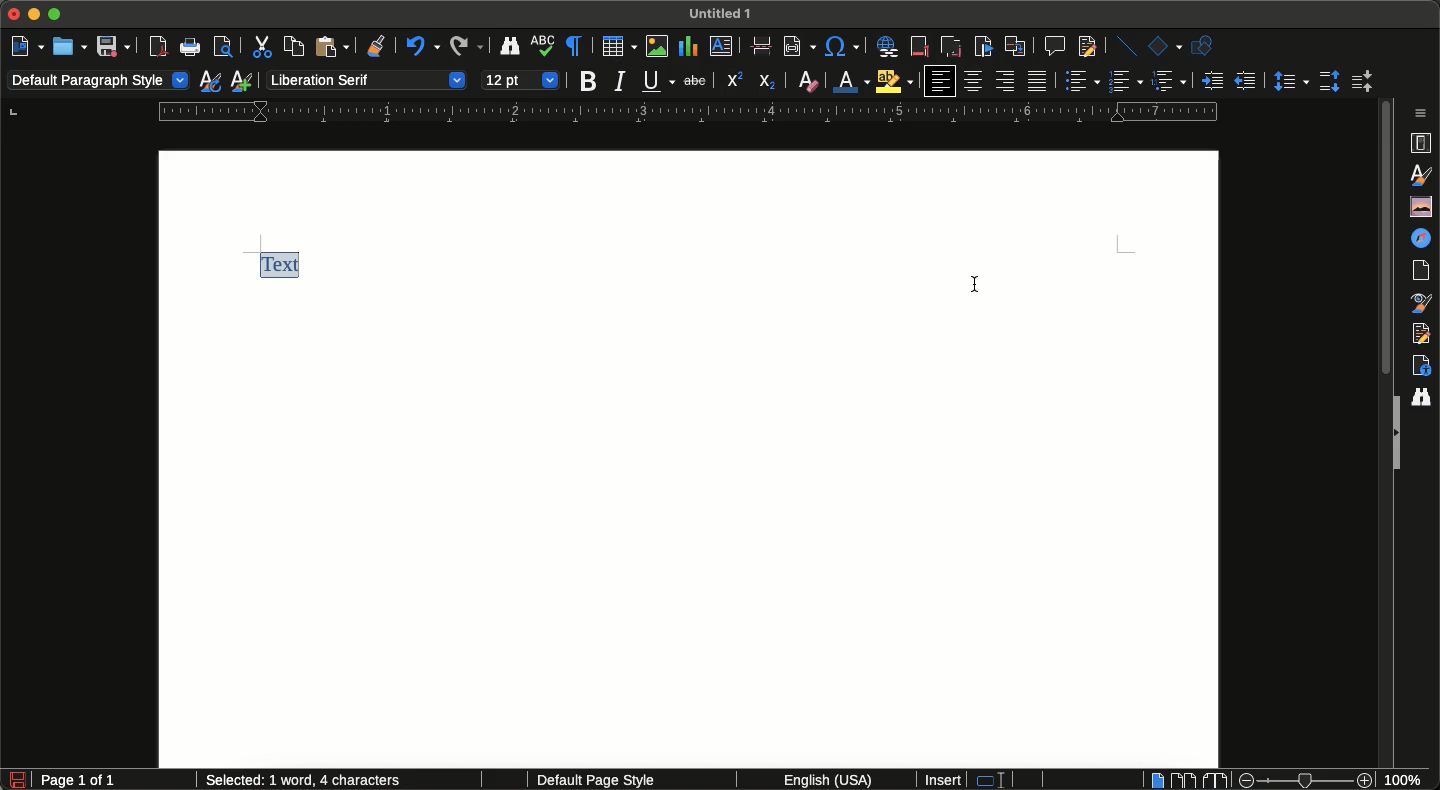  What do you see at coordinates (224, 49) in the screenshot?
I see `Toggle print preview` at bounding box center [224, 49].